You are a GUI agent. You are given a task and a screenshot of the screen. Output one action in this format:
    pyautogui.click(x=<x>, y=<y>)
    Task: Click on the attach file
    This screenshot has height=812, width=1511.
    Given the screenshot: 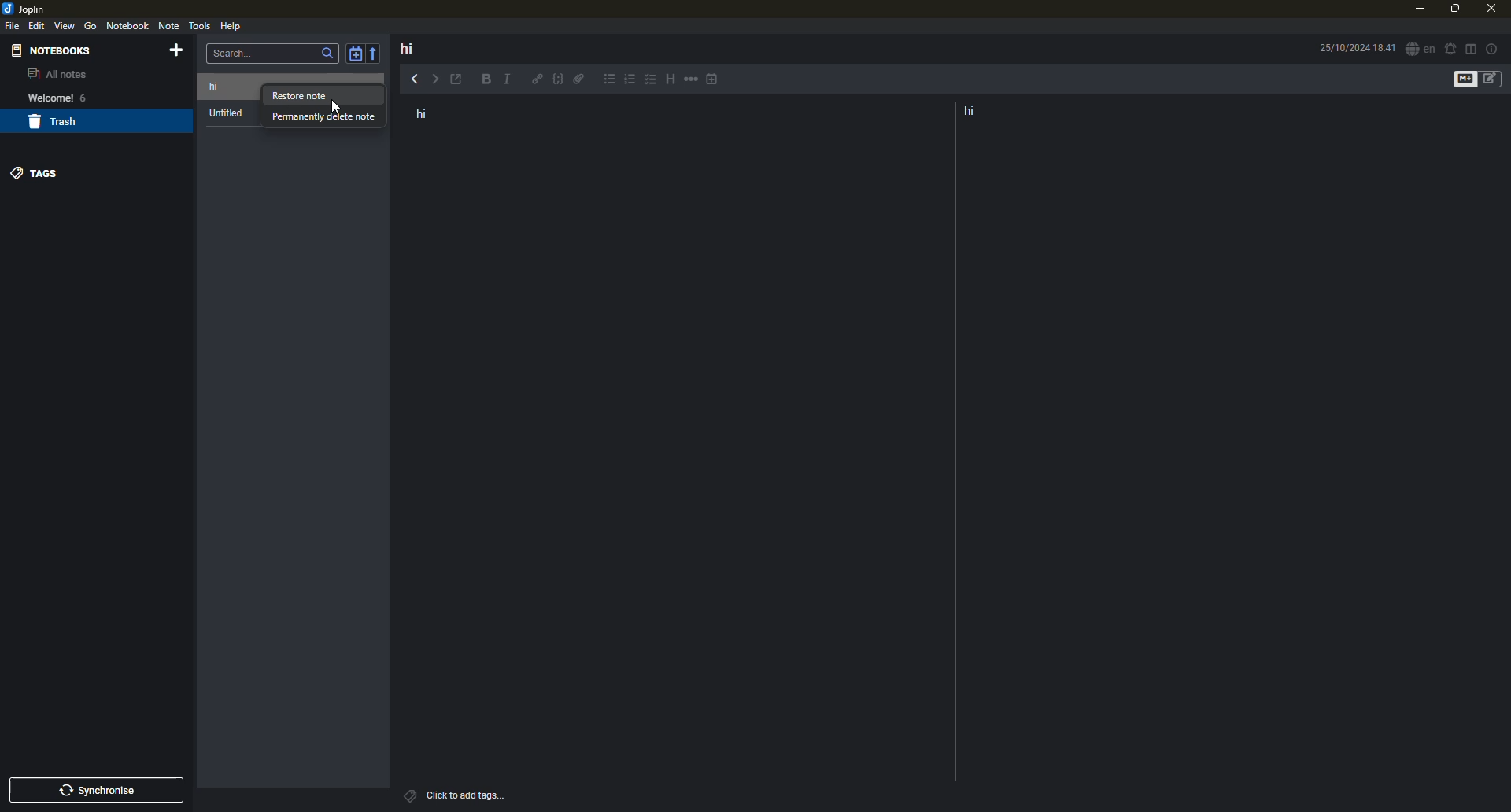 What is the action you would take?
    pyautogui.click(x=581, y=82)
    